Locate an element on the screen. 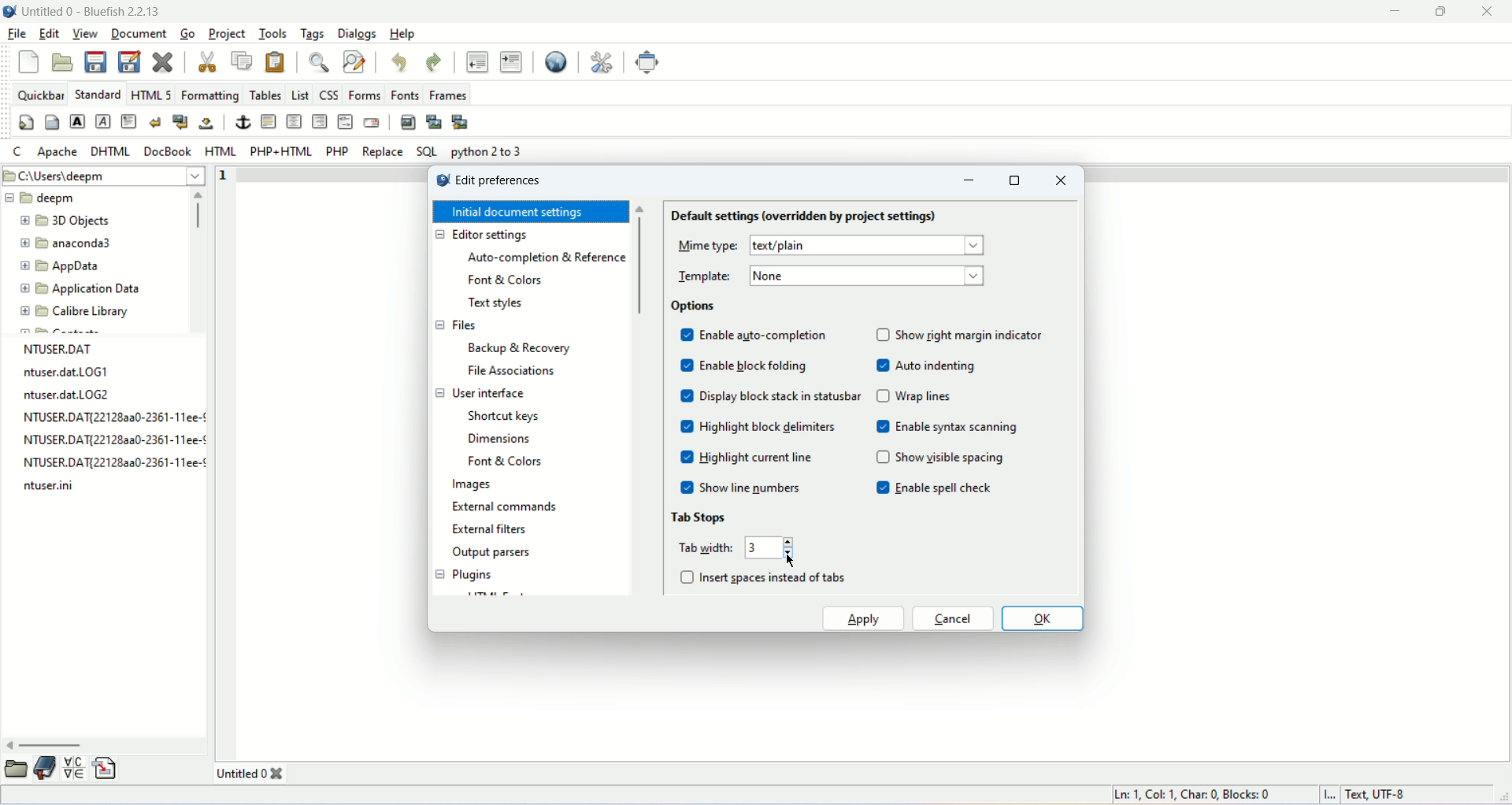  dimensions is located at coordinates (499, 438).